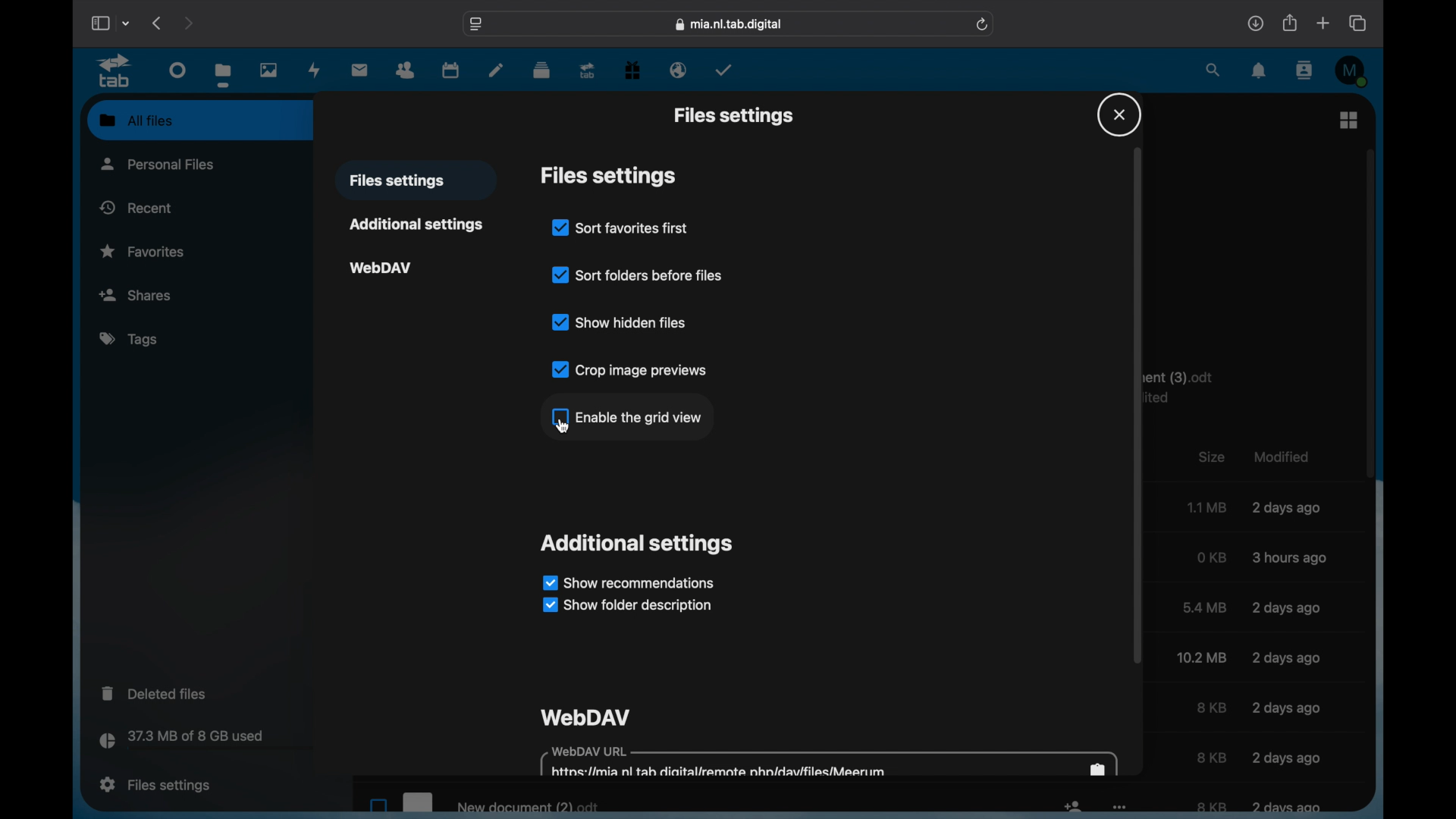  What do you see at coordinates (1207, 507) in the screenshot?
I see `size` at bounding box center [1207, 507].